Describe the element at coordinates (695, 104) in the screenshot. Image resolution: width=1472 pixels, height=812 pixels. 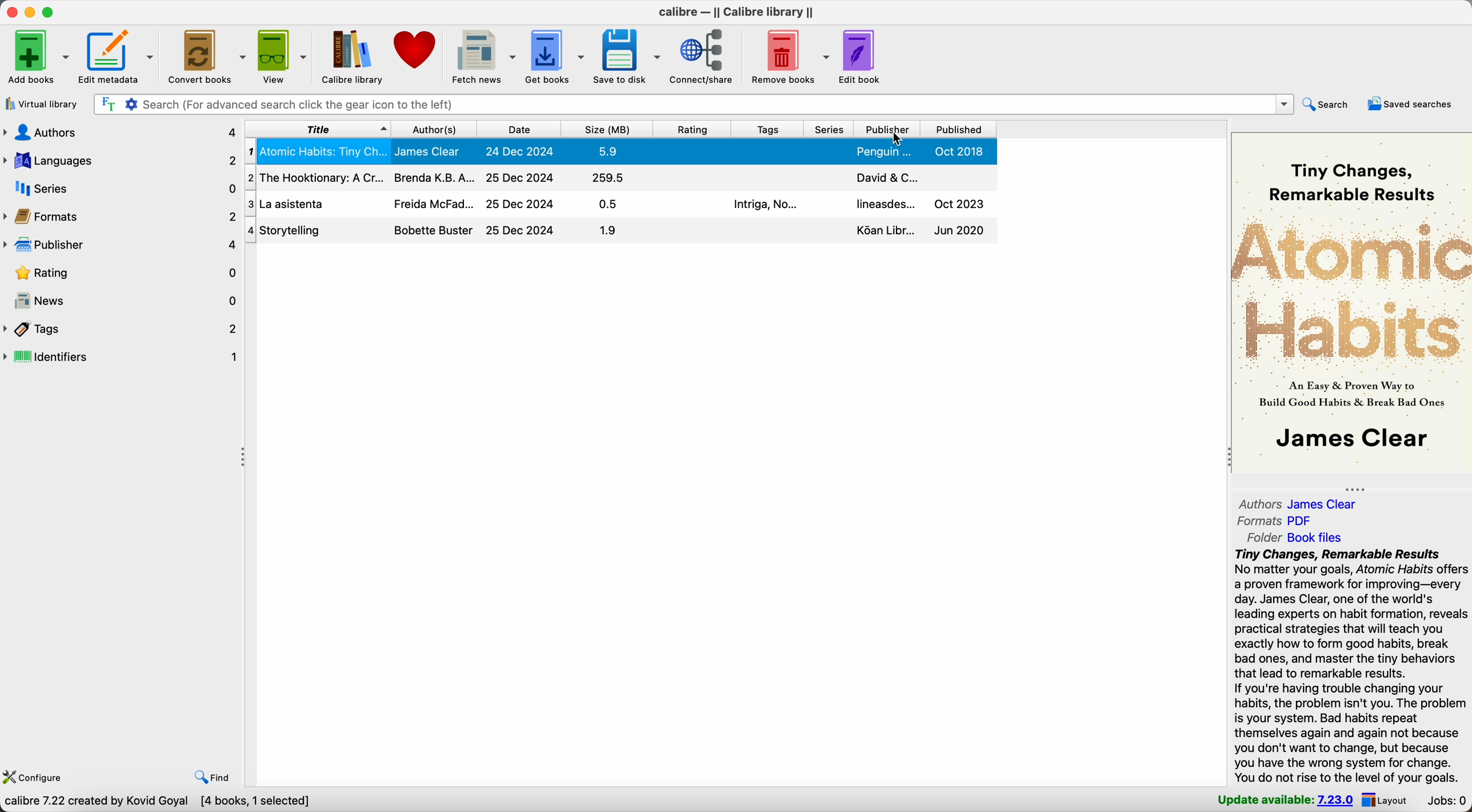
I see `search bar` at that location.